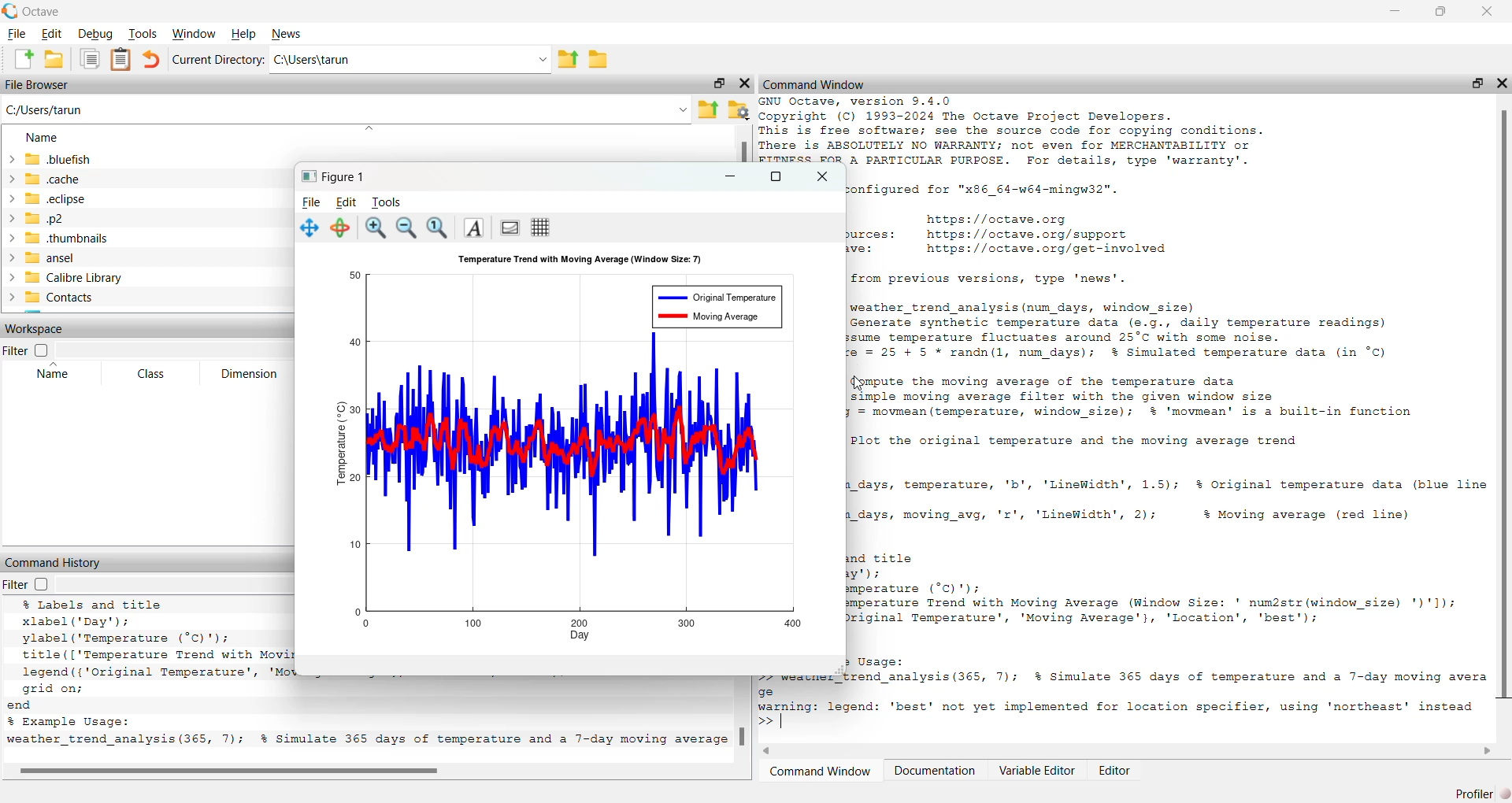 The width and height of the screenshot is (1512, 803). What do you see at coordinates (33, 9) in the screenshot?
I see `Octave` at bounding box center [33, 9].